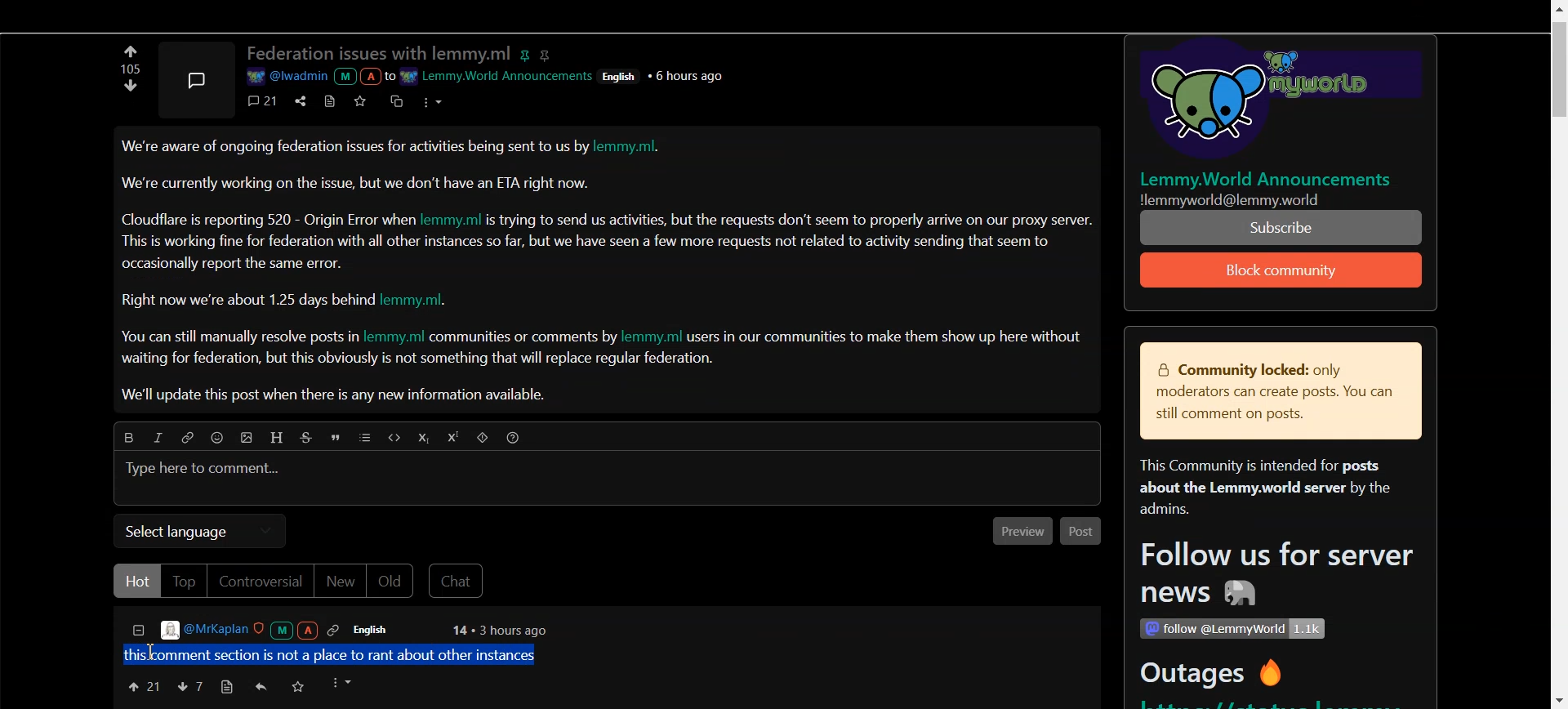 The image size is (1568, 709). I want to click on , so click(622, 75).